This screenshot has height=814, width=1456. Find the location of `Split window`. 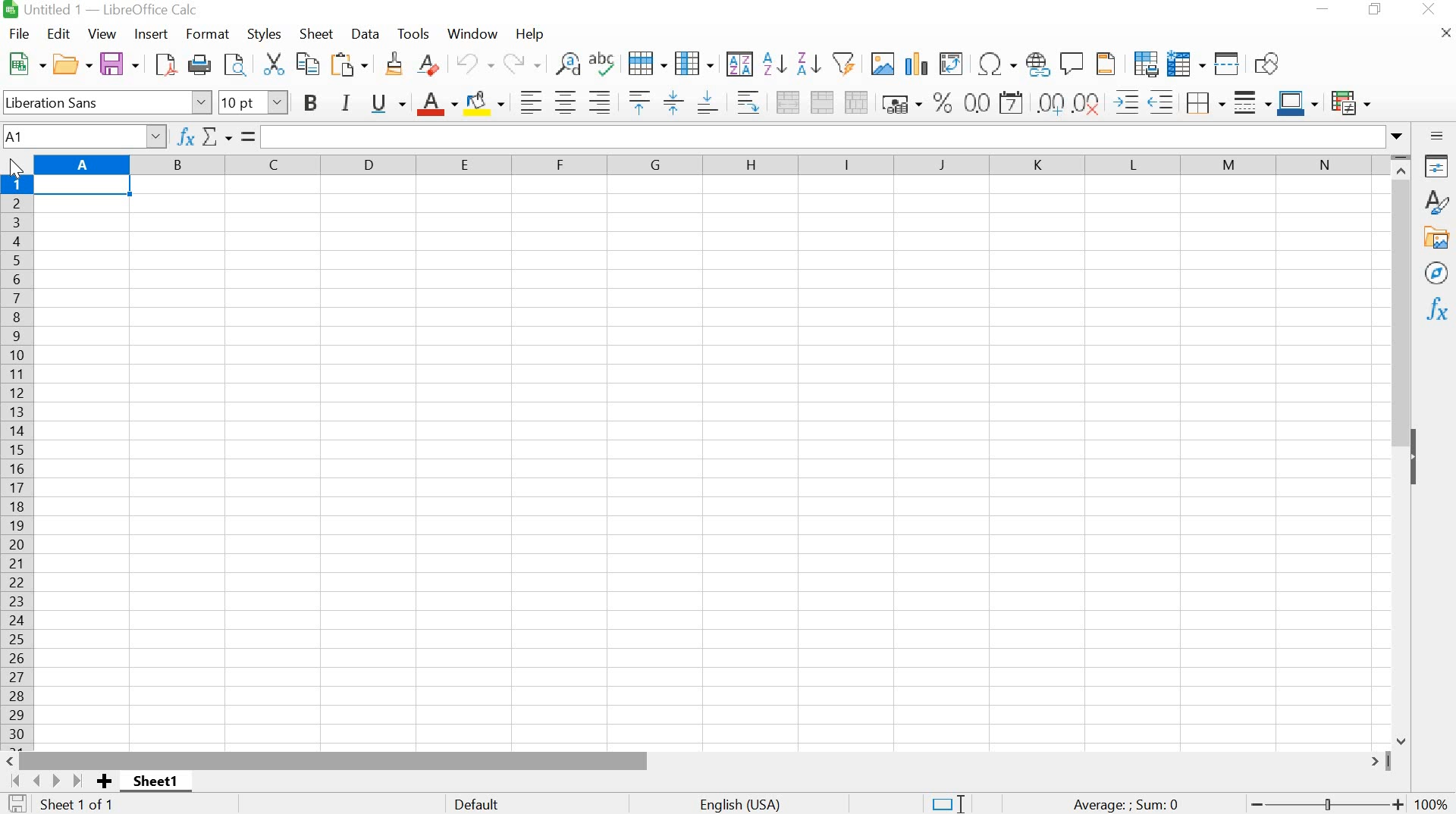

Split window is located at coordinates (1225, 64).